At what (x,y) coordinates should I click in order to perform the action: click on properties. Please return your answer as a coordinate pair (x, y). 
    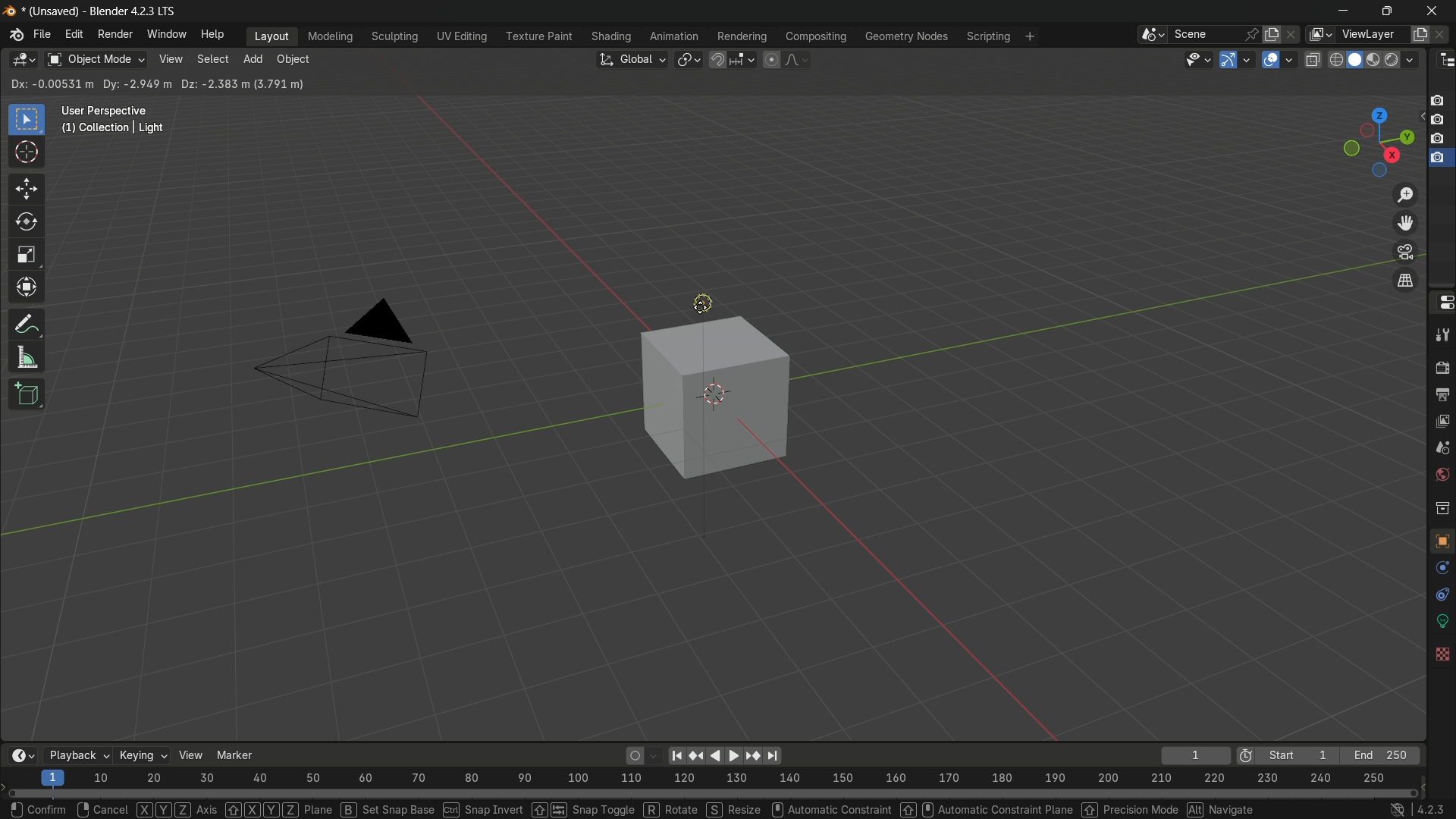
    Looking at the image, I should click on (1442, 303).